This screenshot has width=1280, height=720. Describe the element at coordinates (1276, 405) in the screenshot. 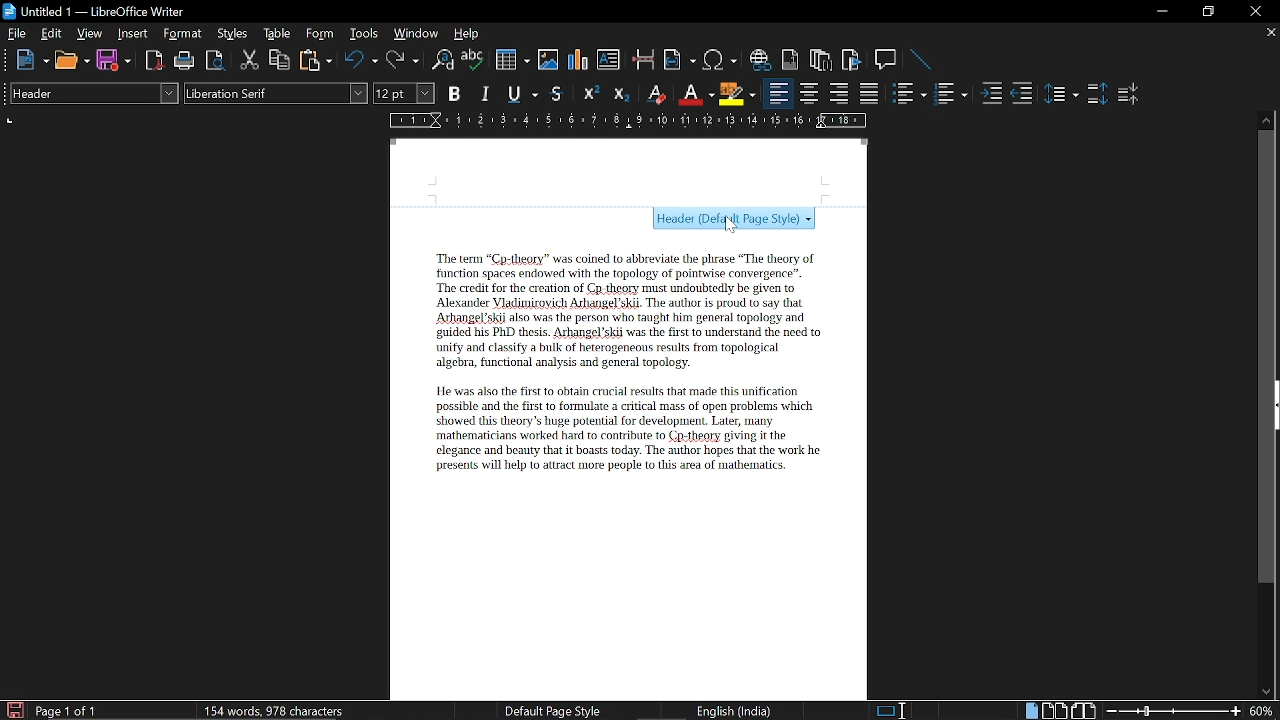

I see `sidebar menu` at that location.